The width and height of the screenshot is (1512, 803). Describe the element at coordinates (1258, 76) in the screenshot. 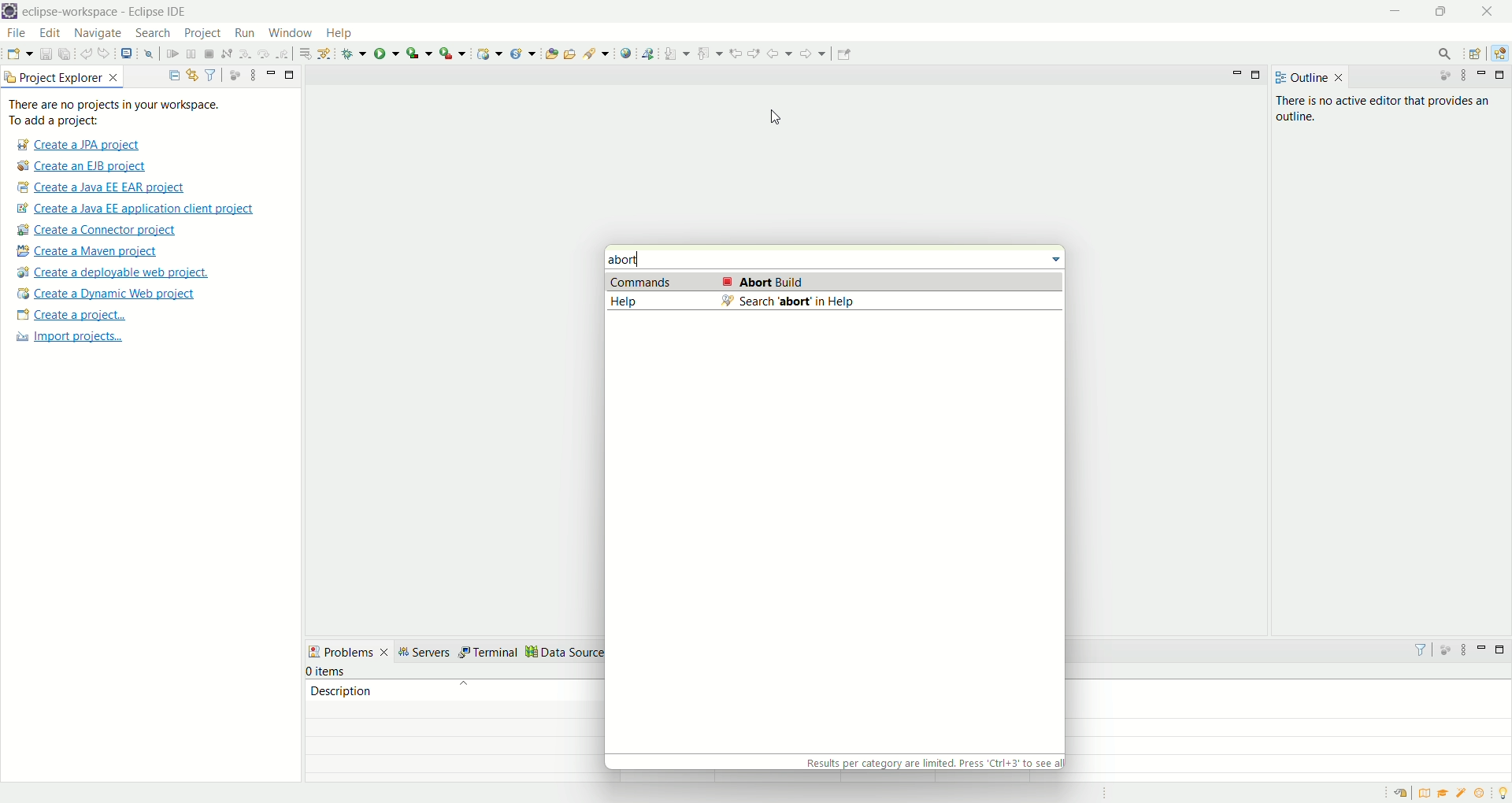

I see `maximize` at that location.